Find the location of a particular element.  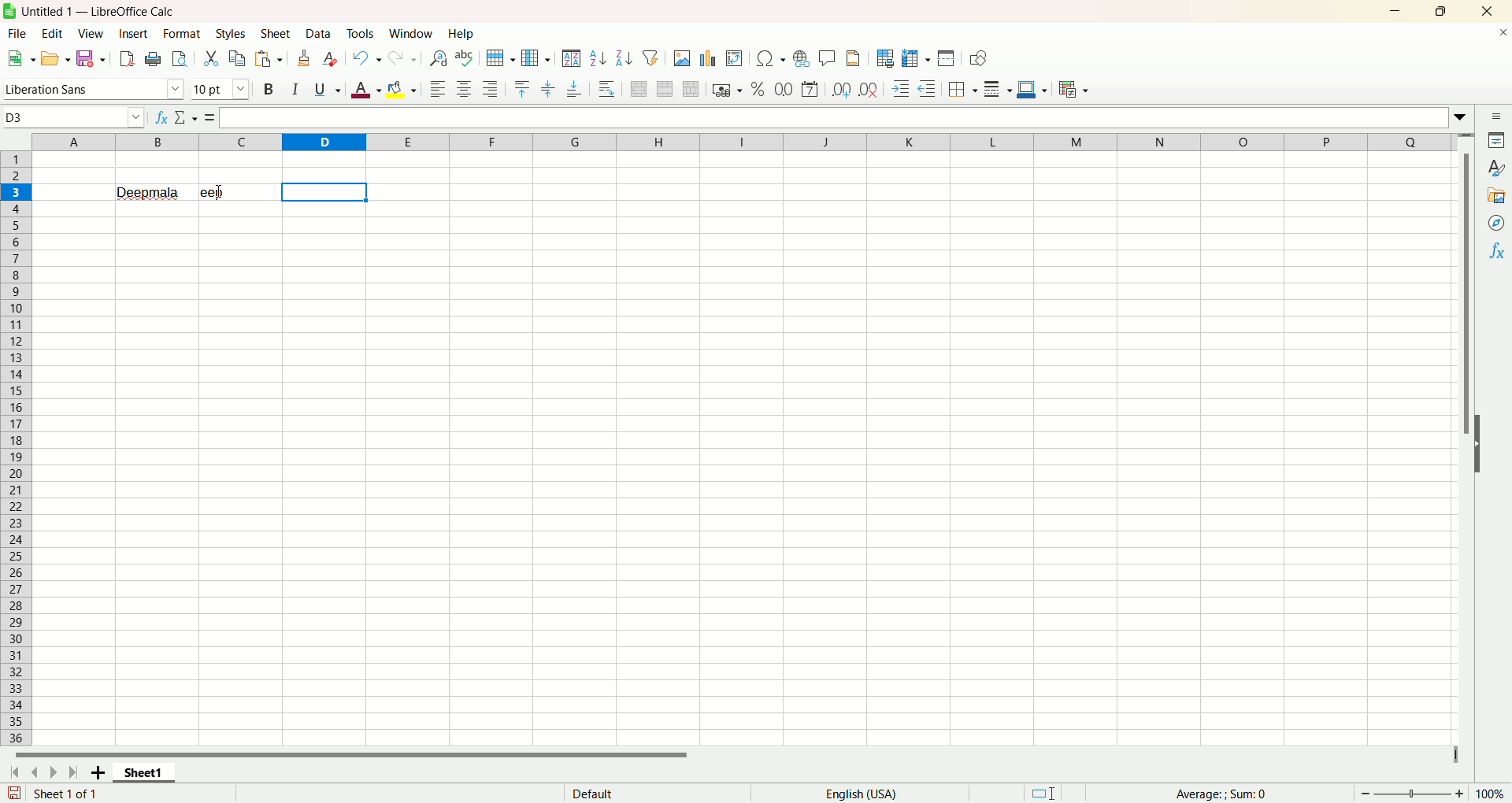

Wrap text is located at coordinates (606, 87).